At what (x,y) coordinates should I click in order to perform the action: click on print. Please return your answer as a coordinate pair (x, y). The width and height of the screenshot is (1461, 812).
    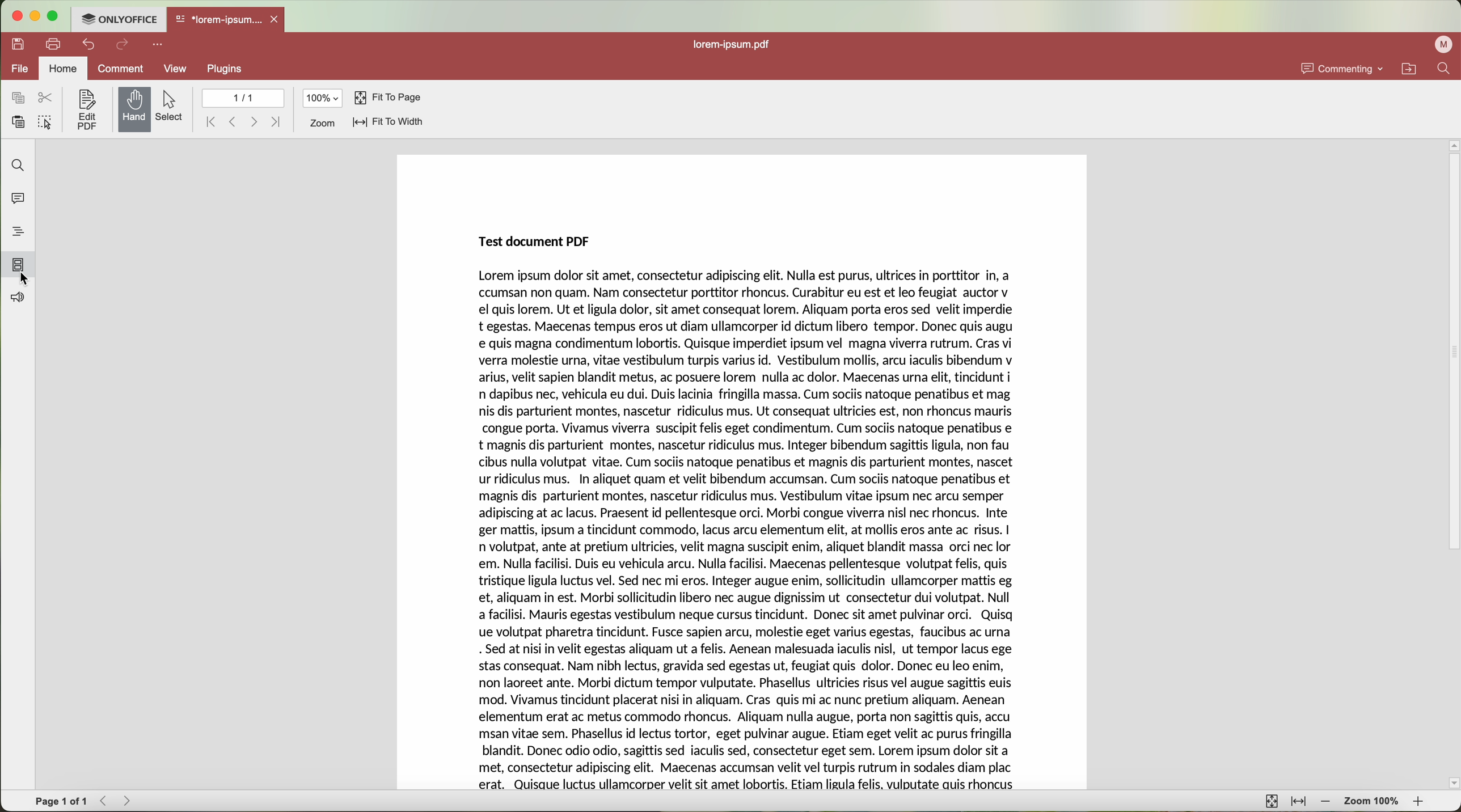
    Looking at the image, I should click on (54, 43).